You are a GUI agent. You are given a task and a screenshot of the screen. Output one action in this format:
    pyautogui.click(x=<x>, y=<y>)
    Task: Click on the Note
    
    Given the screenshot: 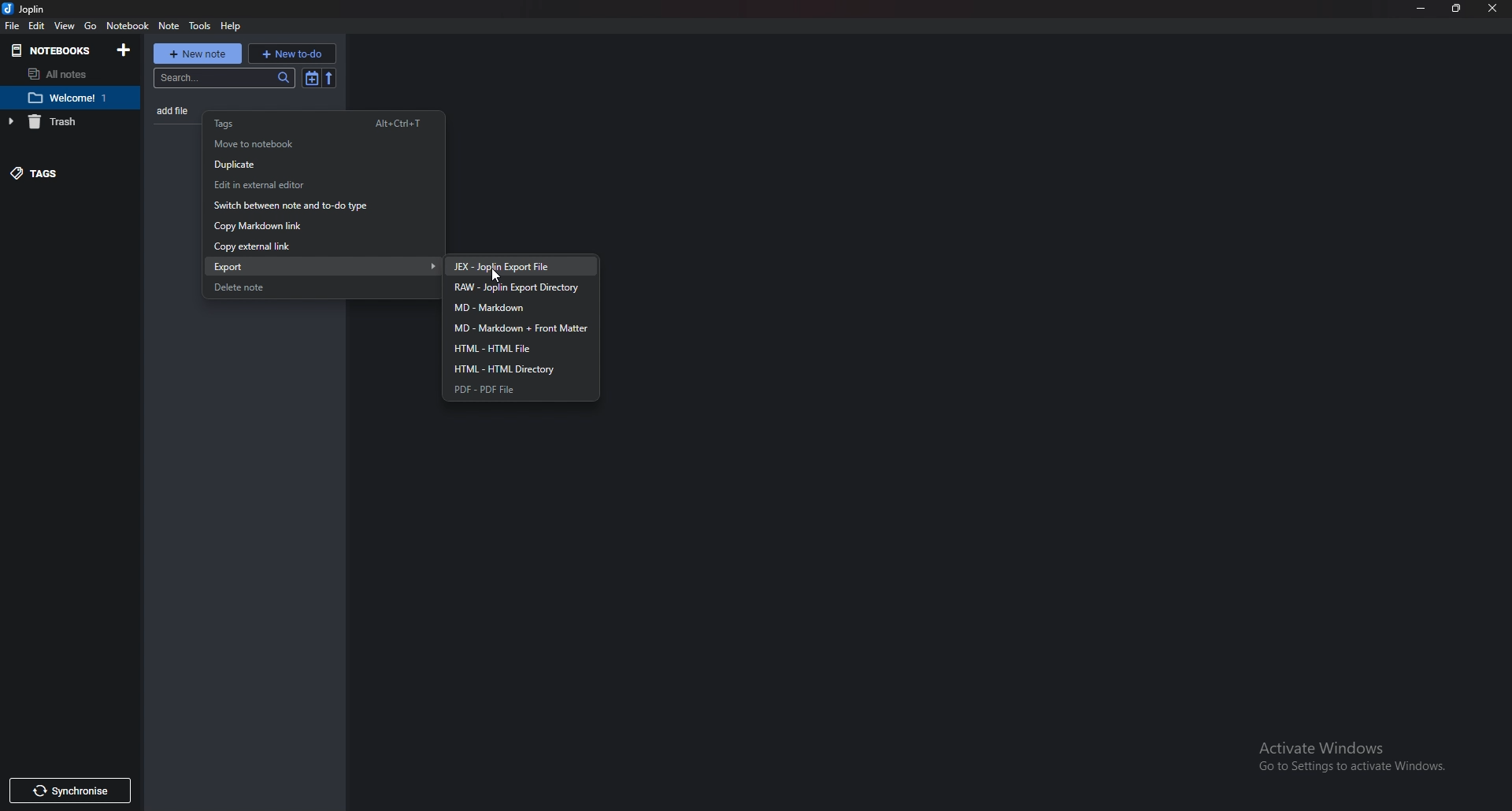 What is the action you would take?
    pyautogui.click(x=176, y=110)
    